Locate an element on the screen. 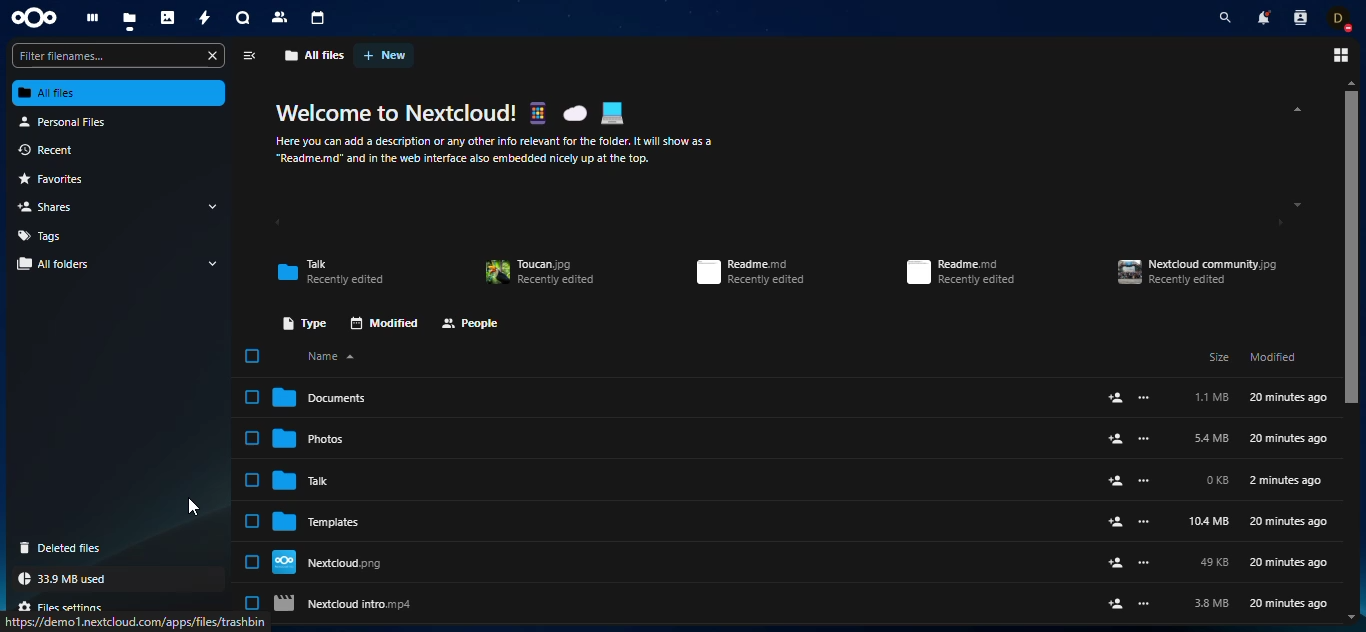 The image size is (1366, 632). Options is located at coordinates (1341, 54).